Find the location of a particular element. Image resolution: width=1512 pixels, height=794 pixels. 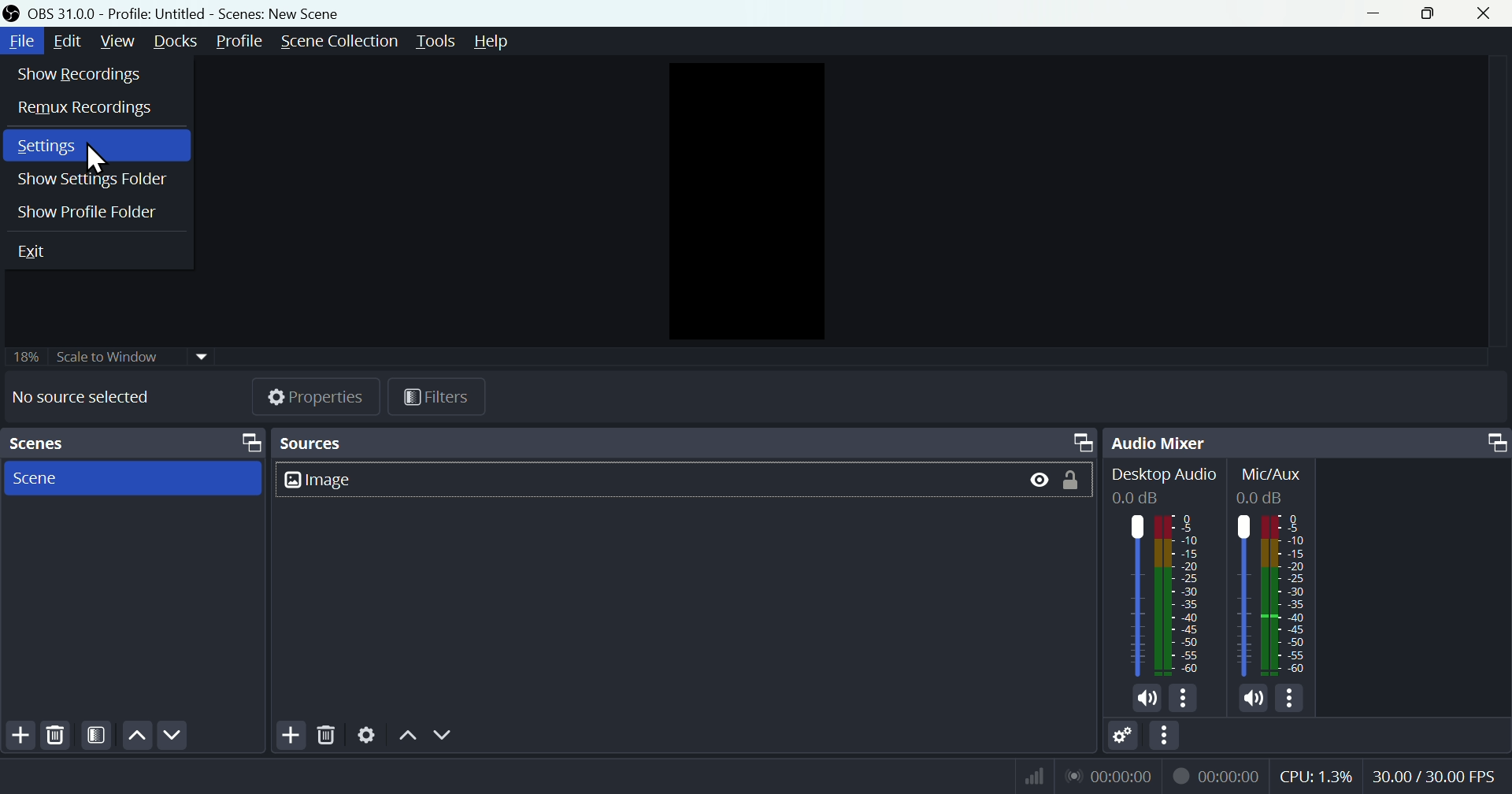

Delete is located at coordinates (56, 735).